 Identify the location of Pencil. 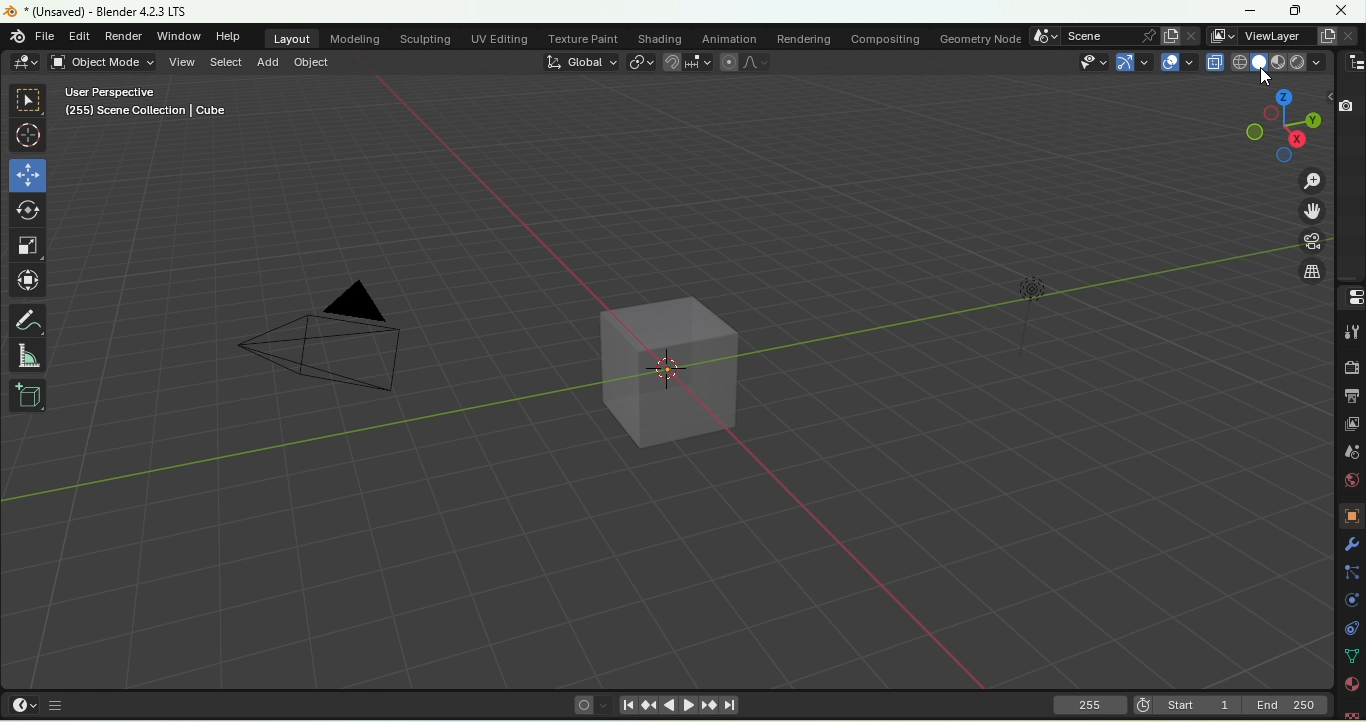
(30, 320).